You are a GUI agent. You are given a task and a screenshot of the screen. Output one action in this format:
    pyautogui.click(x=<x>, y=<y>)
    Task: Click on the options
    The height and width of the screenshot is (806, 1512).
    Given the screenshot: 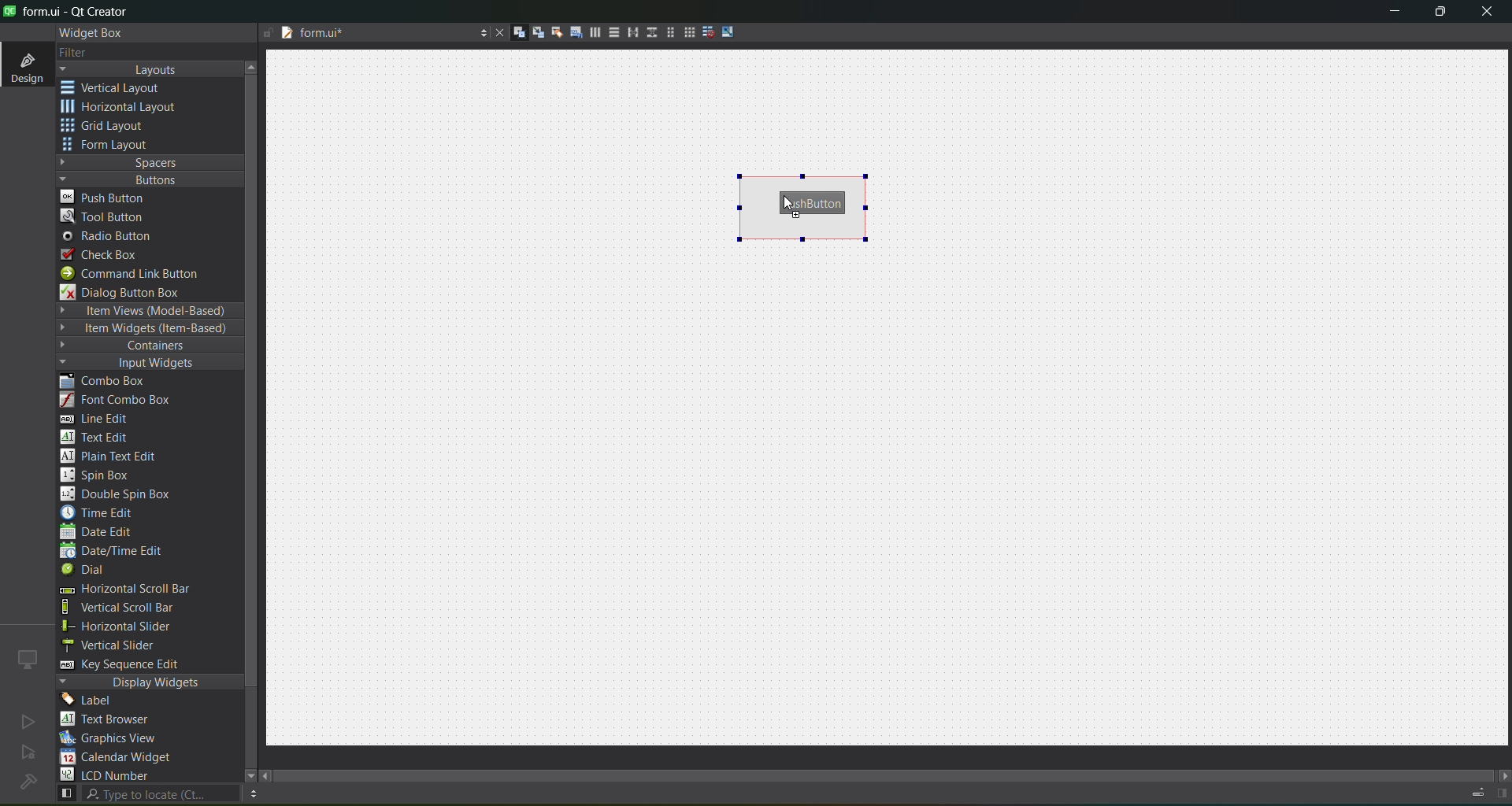 What is the action you would take?
    pyautogui.click(x=479, y=35)
    